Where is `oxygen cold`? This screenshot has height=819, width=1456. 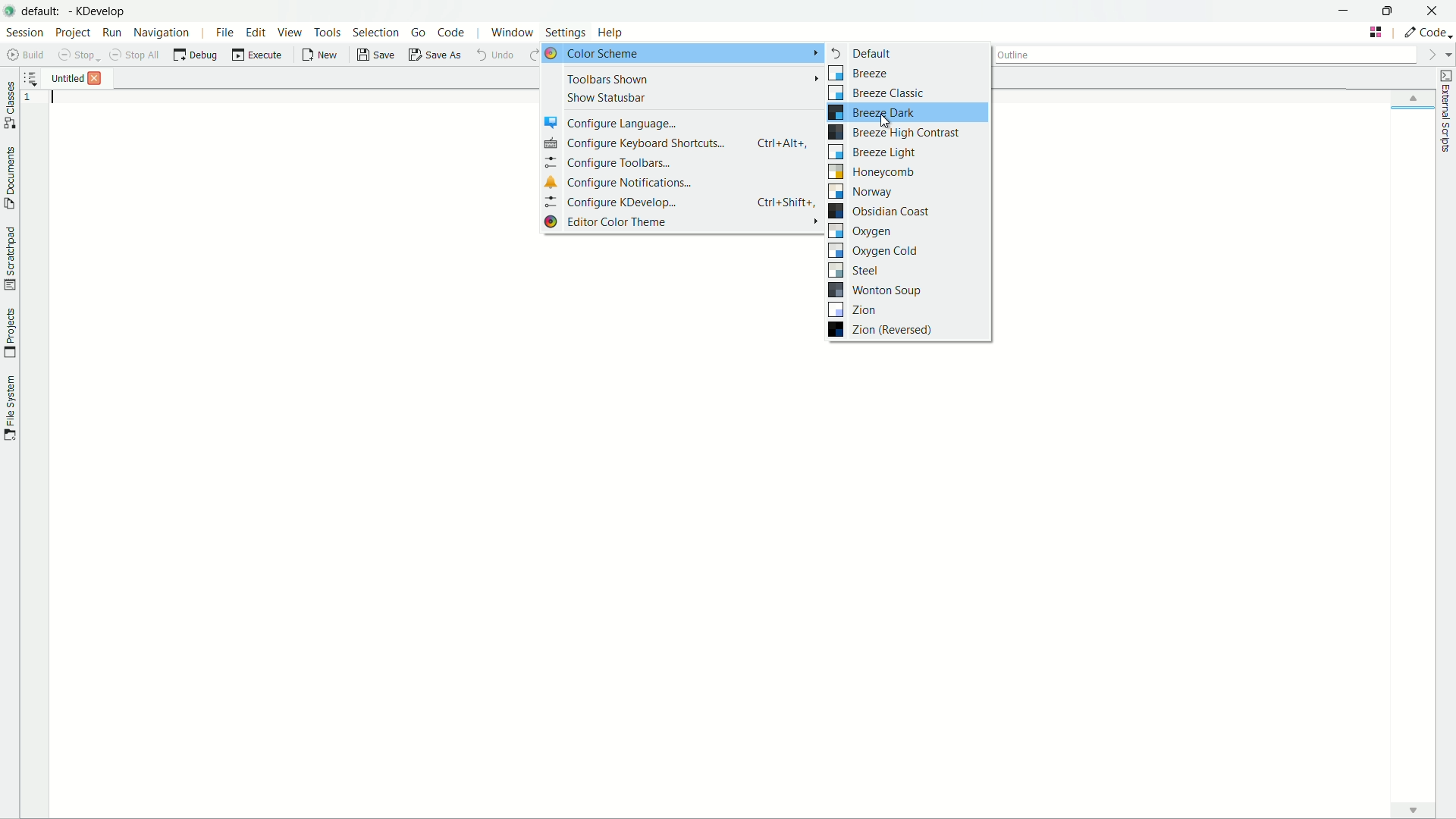
oxygen cold is located at coordinates (874, 250).